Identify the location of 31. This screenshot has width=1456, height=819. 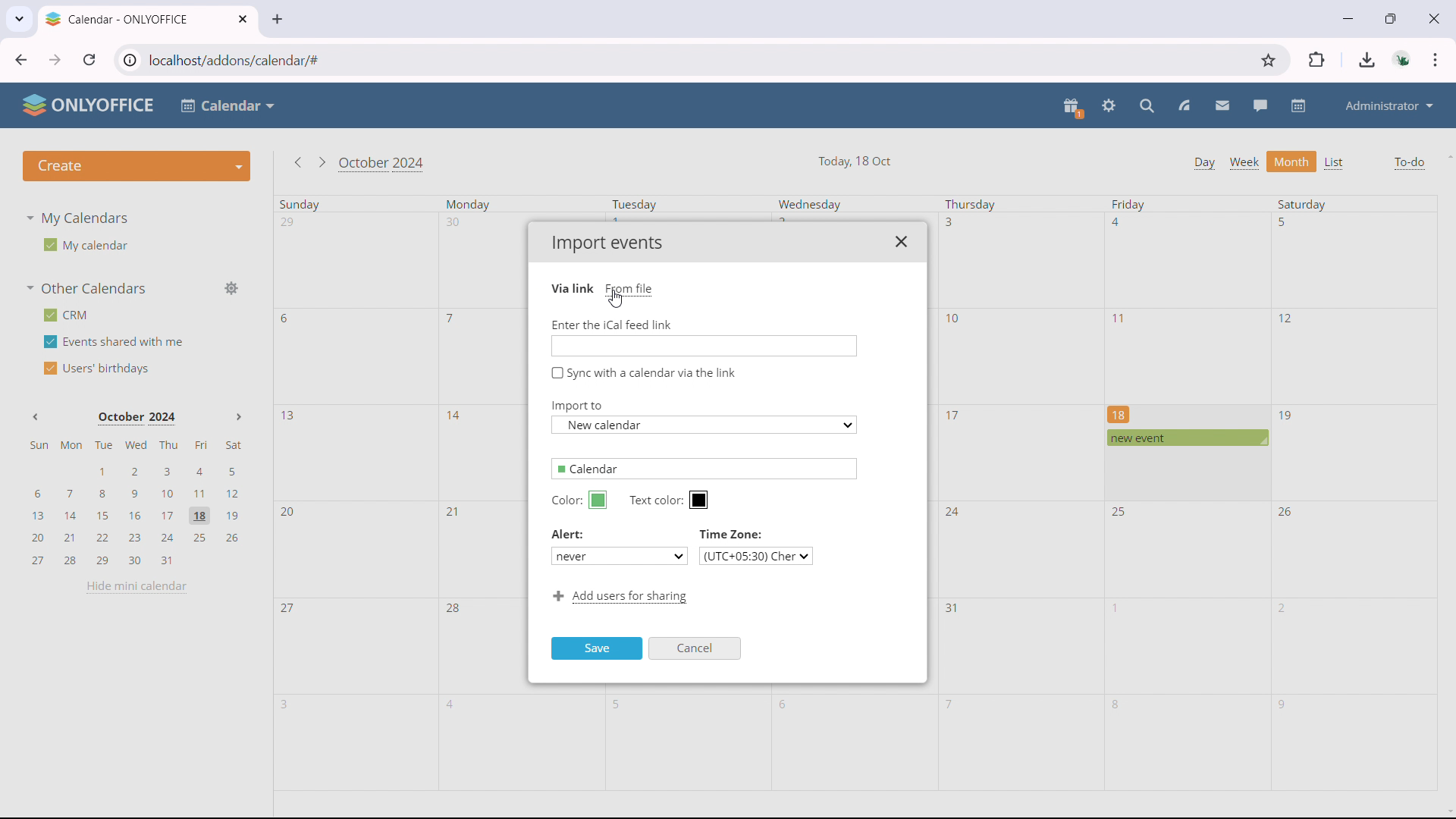
(952, 608).